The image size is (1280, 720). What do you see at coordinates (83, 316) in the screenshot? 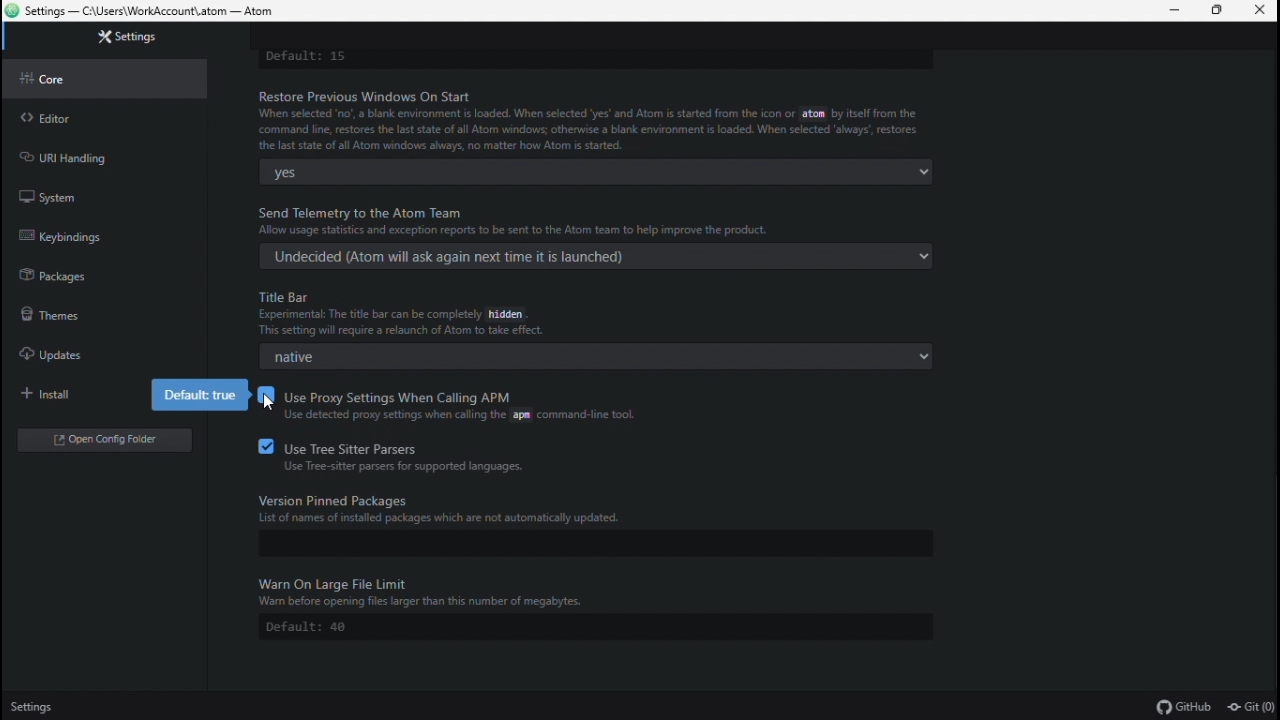
I see `themes` at bounding box center [83, 316].